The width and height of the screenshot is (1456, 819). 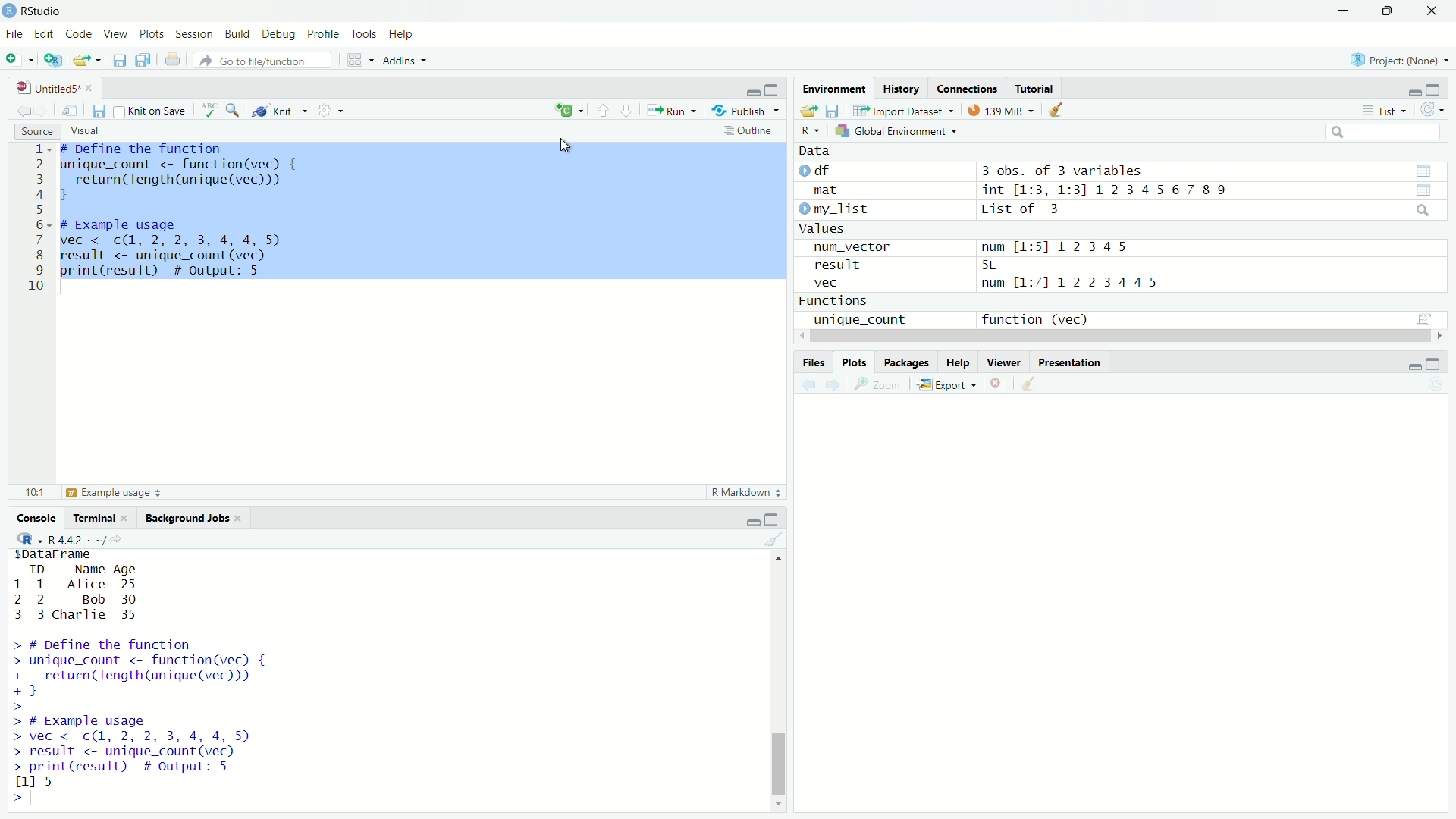 What do you see at coordinates (153, 111) in the screenshot?
I see `knit on save` at bounding box center [153, 111].